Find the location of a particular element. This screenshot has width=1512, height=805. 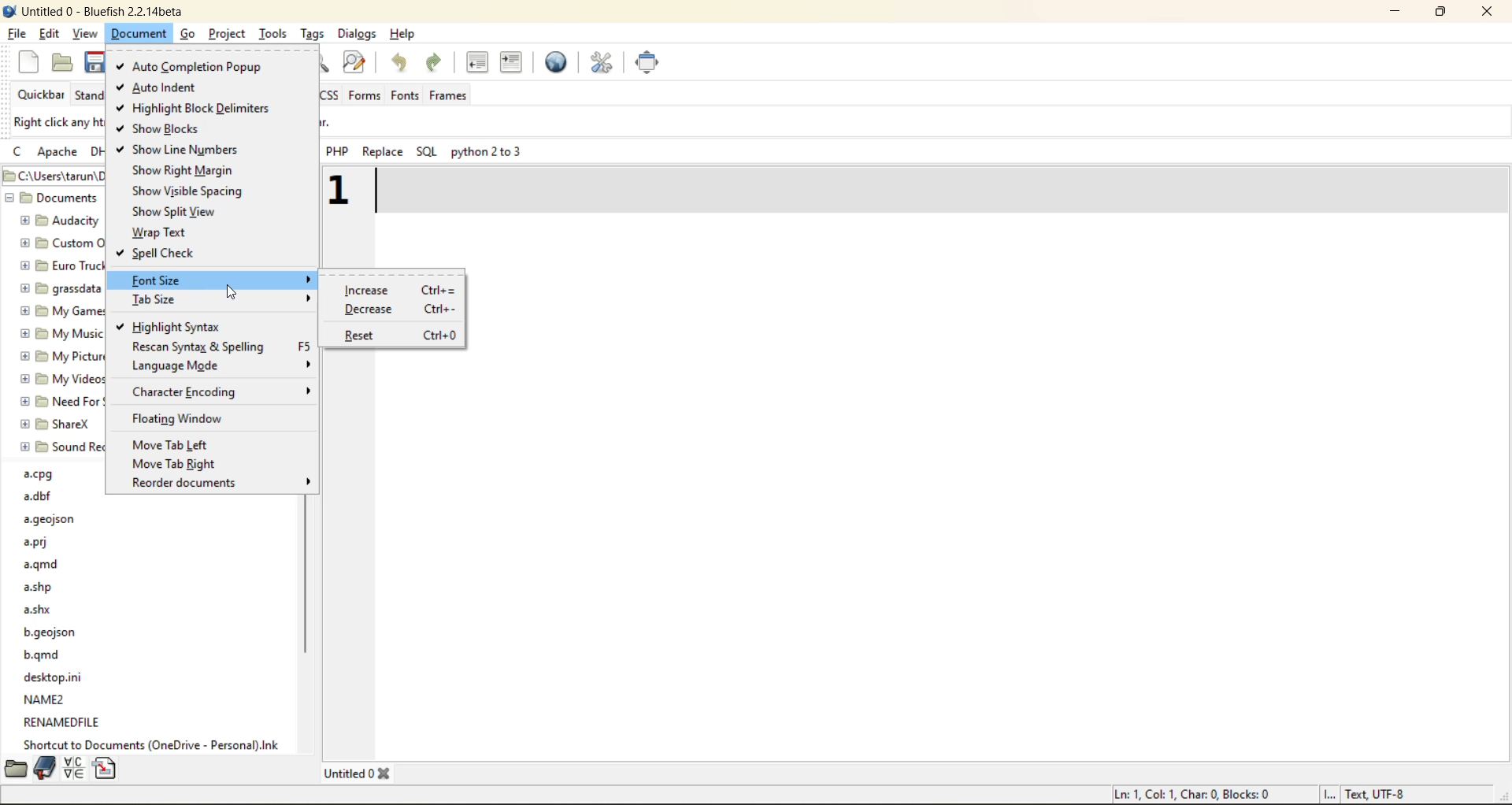

highlight block delimiters is located at coordinates (189, 108).